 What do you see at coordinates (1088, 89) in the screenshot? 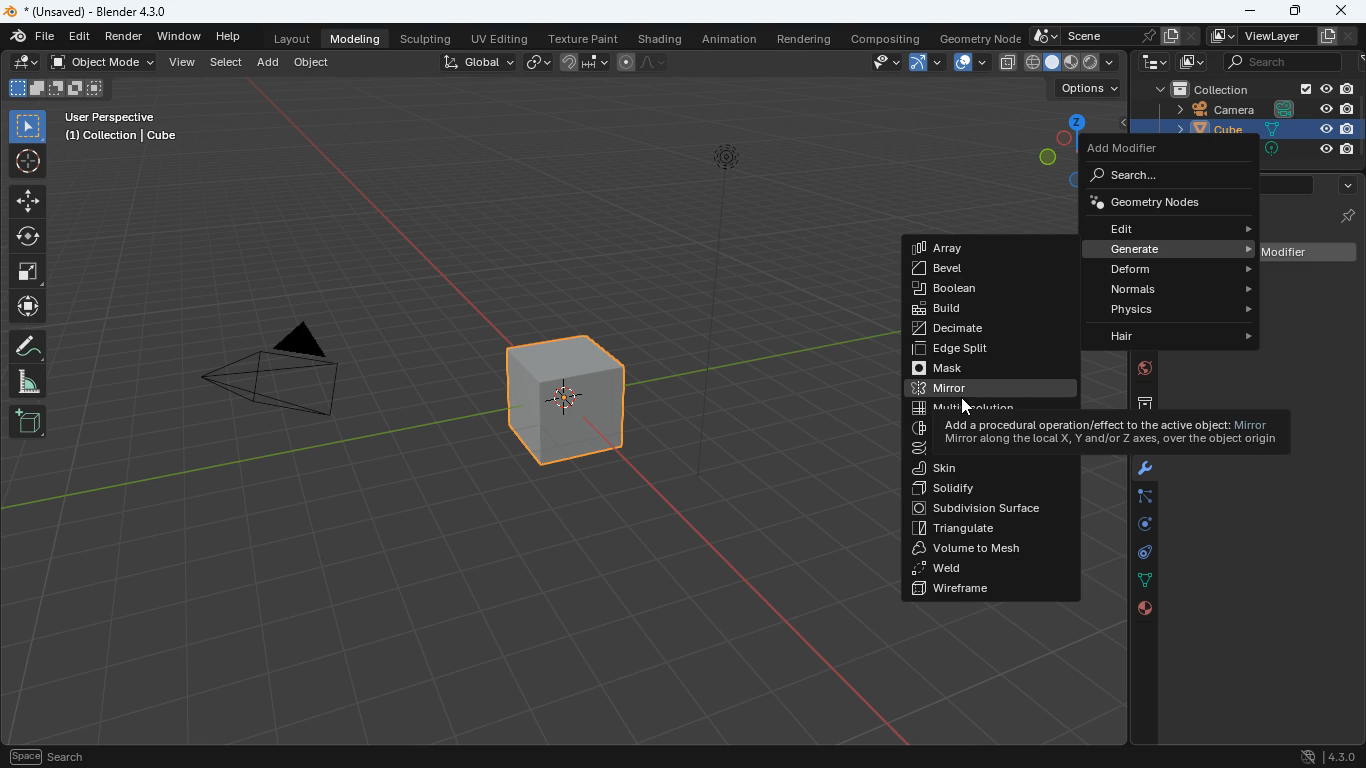
I see `options` at bounding box center [1088, 89].